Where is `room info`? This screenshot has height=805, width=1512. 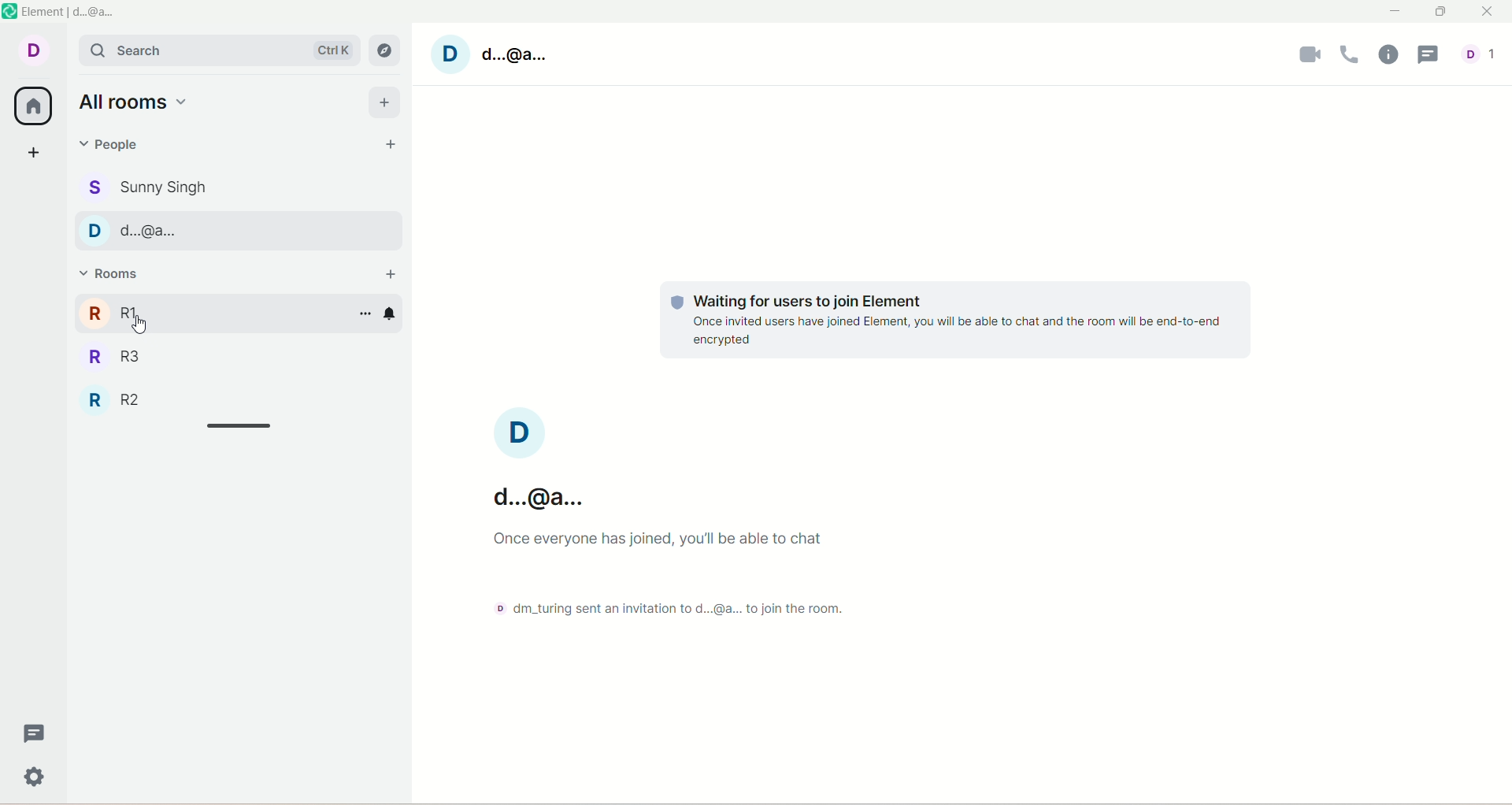 room info is located at coordinates (1390, 54).